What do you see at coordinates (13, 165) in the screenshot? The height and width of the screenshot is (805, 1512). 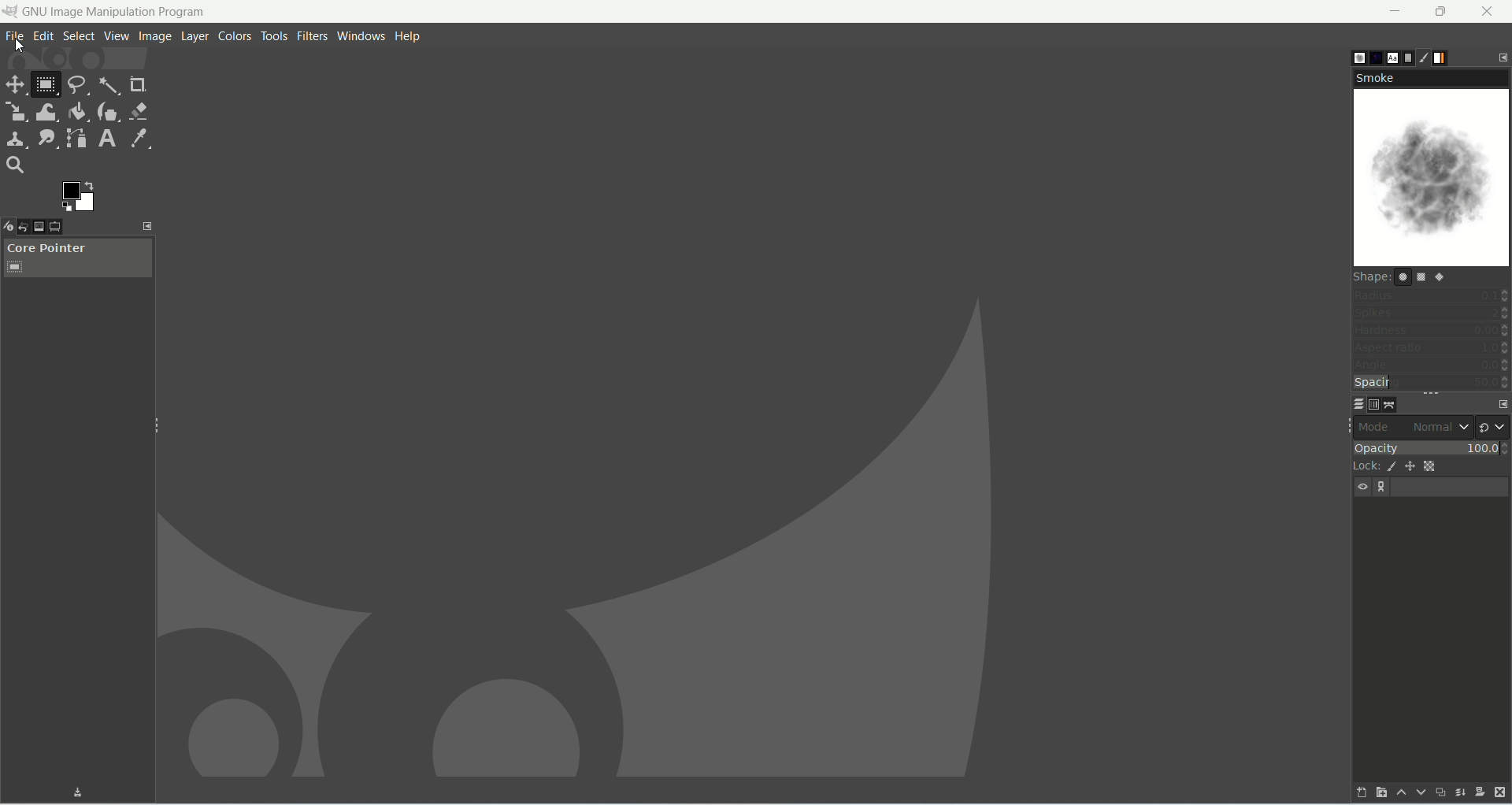 I see `search` at bounding box center [13, 165].